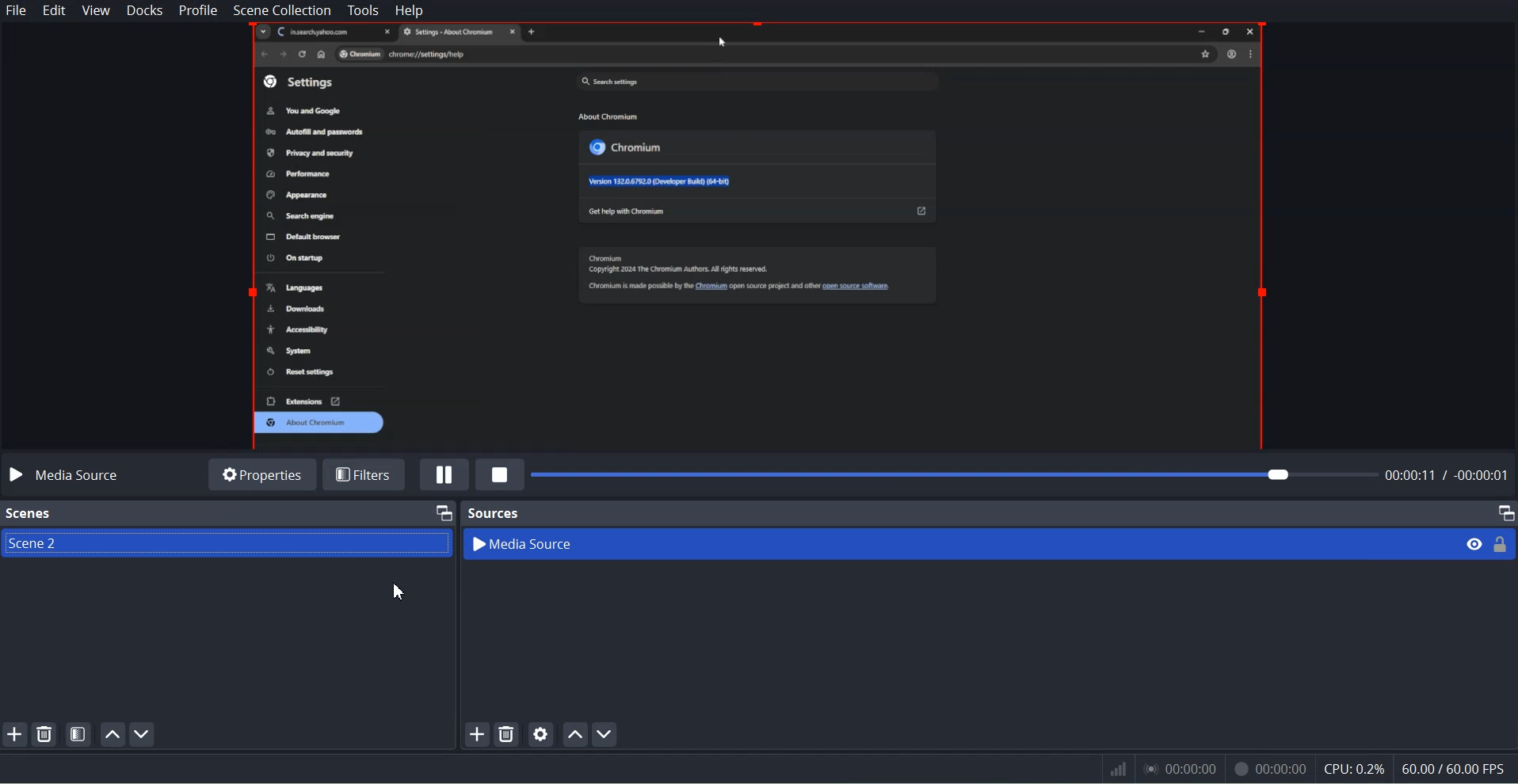  Describe the element at coordinates (14, 733) in the screenshot. I see `Add SCENE` at that location.